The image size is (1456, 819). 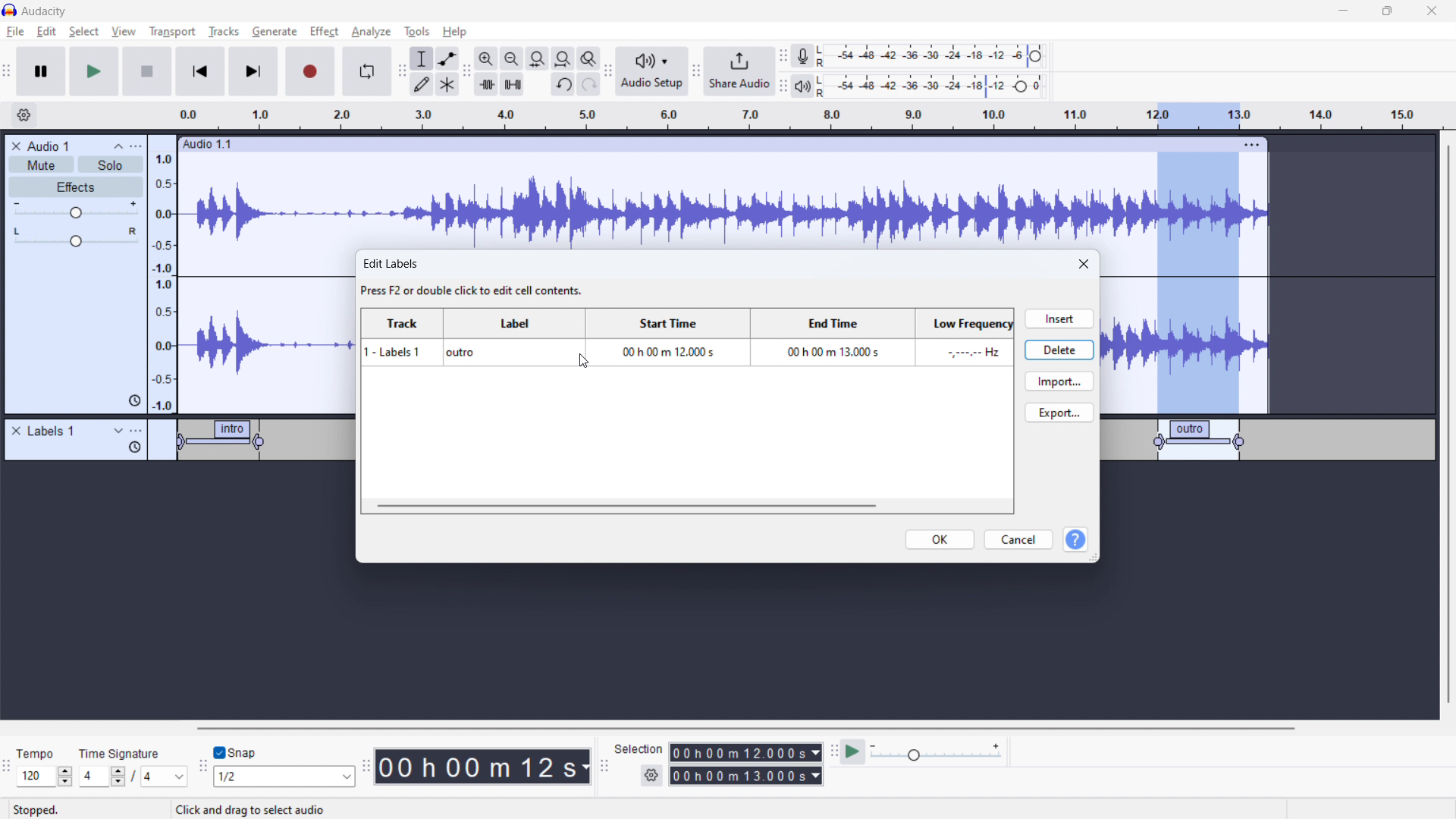 I want to click on set time signature, so click(x=134, y=776).